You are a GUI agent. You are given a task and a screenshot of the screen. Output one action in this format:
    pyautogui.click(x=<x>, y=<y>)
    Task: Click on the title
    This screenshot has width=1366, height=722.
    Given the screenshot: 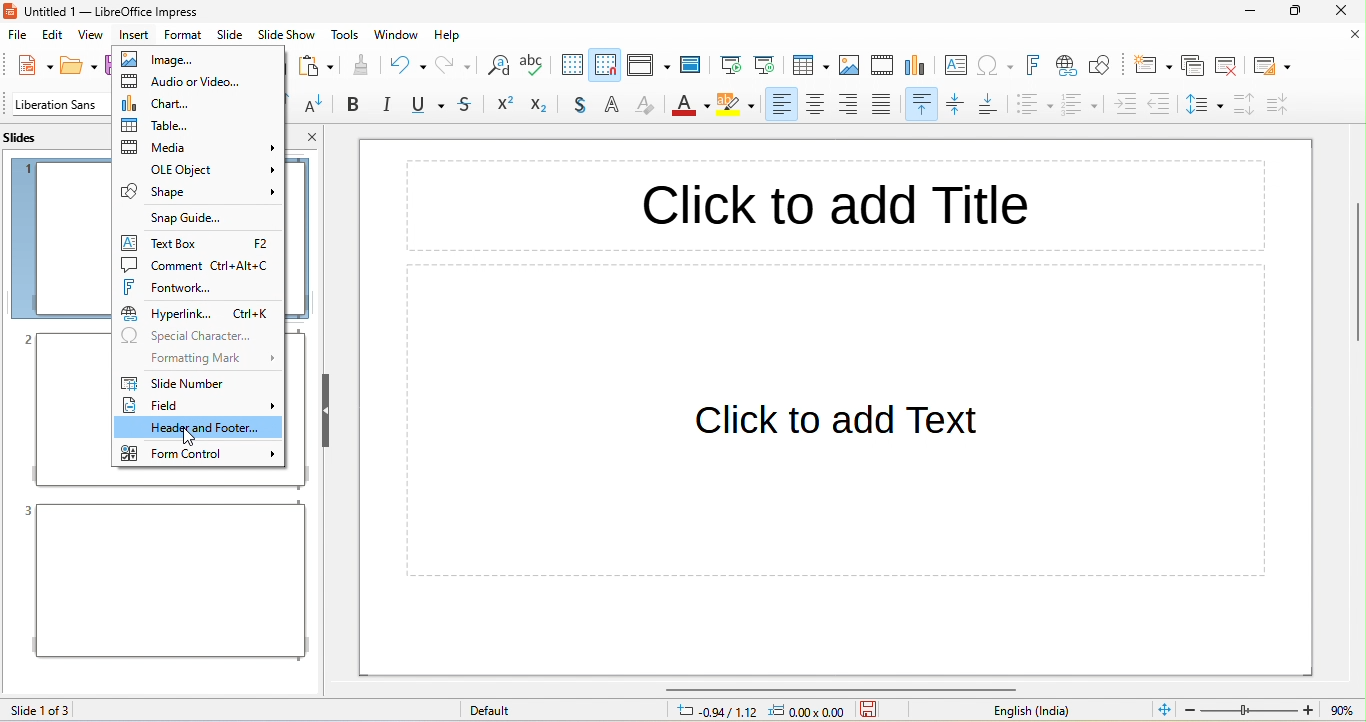 What is the action you would take?
    pyautogui.click(x=128, y=12)
    